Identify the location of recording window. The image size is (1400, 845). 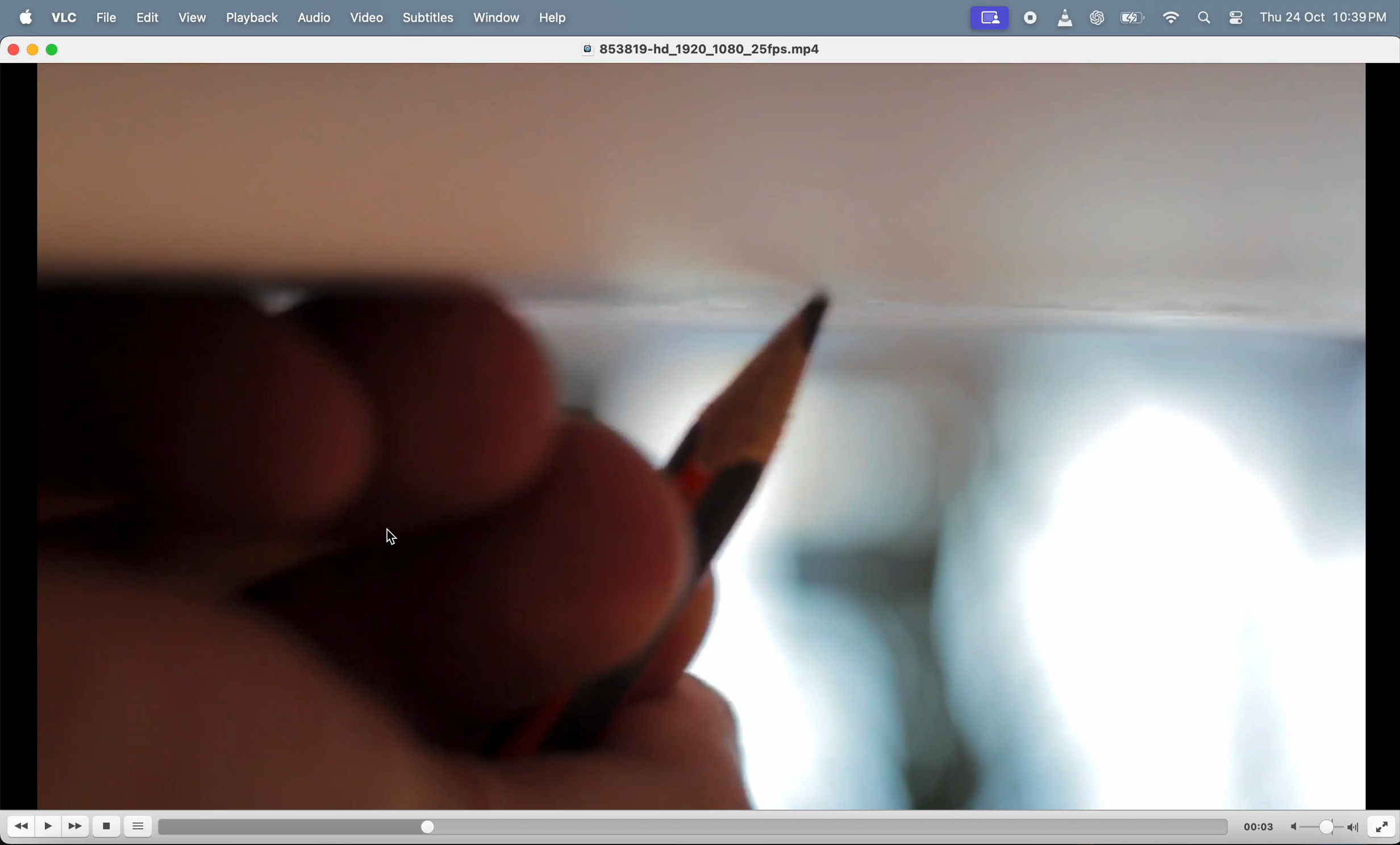
(991, 16).